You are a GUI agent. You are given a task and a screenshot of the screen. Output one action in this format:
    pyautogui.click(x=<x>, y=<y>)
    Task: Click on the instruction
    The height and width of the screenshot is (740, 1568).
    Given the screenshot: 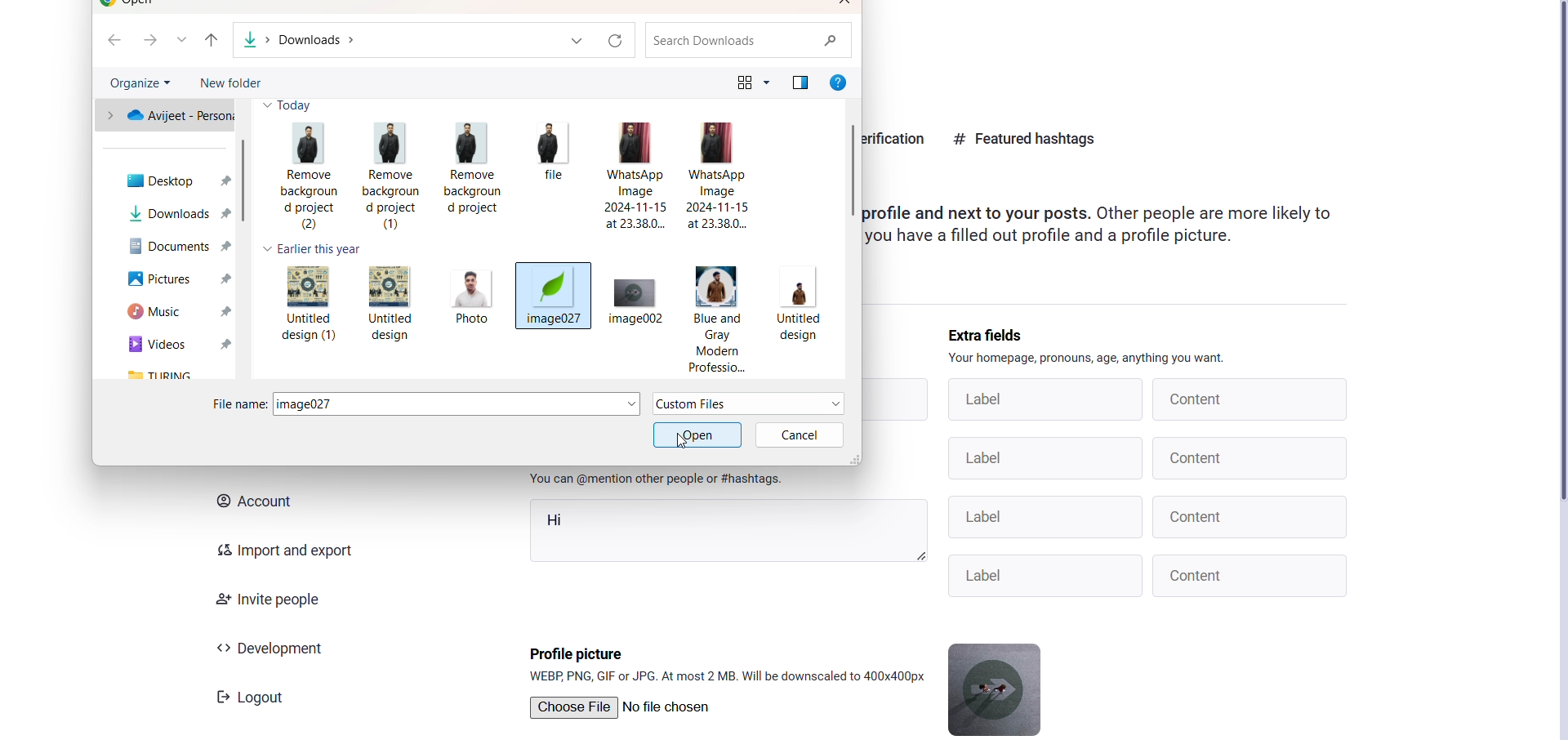 What is the action you would take?
    pyautogui.click(x=1089, y=359)
    